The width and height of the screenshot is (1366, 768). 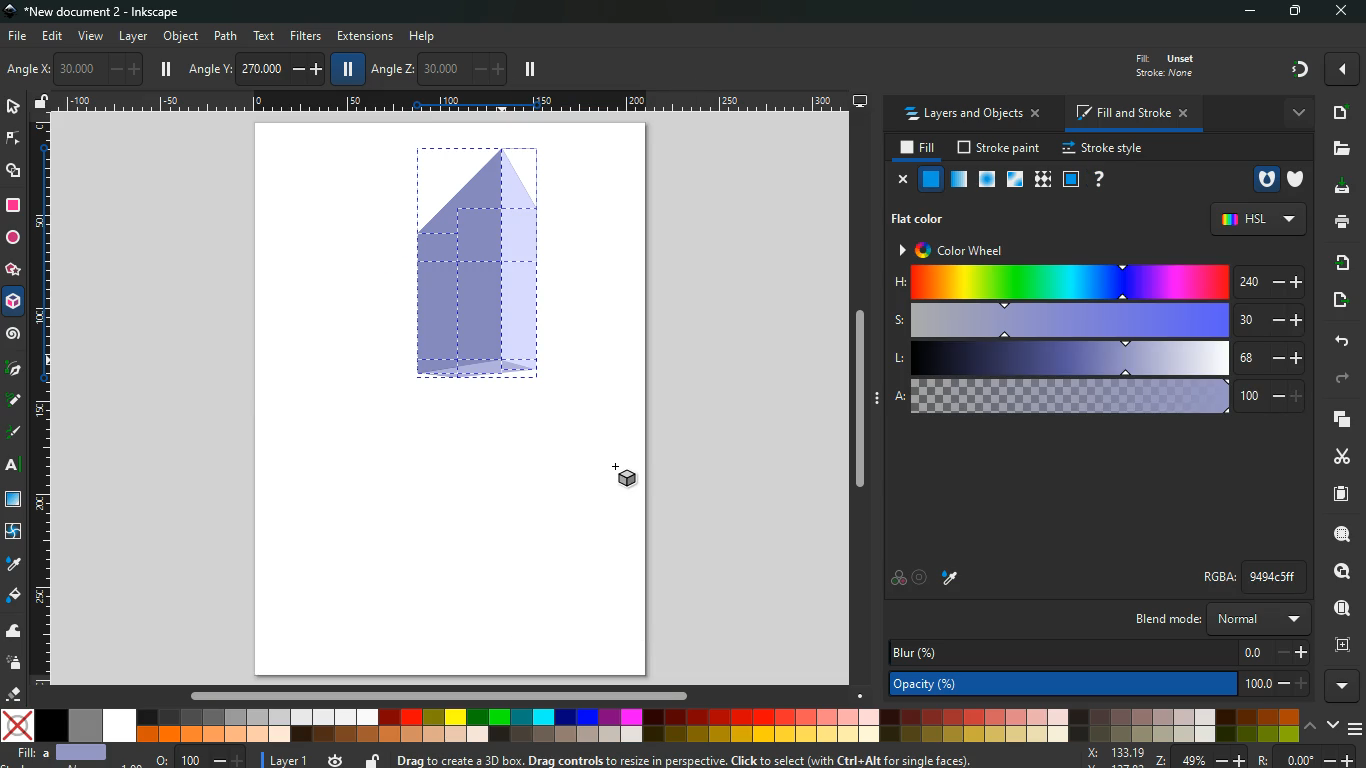 I want to click on Cursor, so click(x=616, y=468).